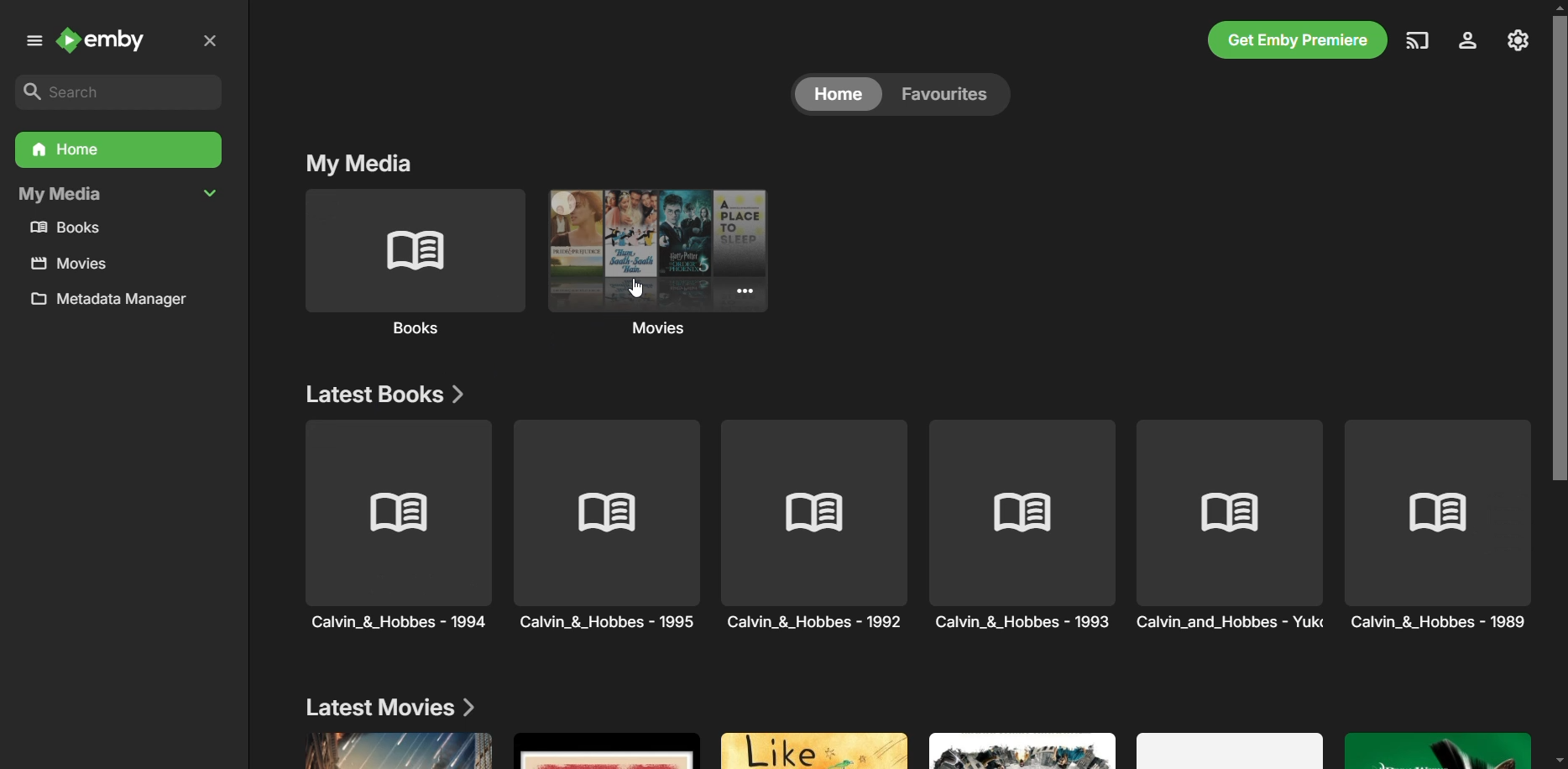 This screenshot has width=1568, height=769. Describe the element at coordinates (107, 42) in the screenshot. I see `Application Name` at that location.